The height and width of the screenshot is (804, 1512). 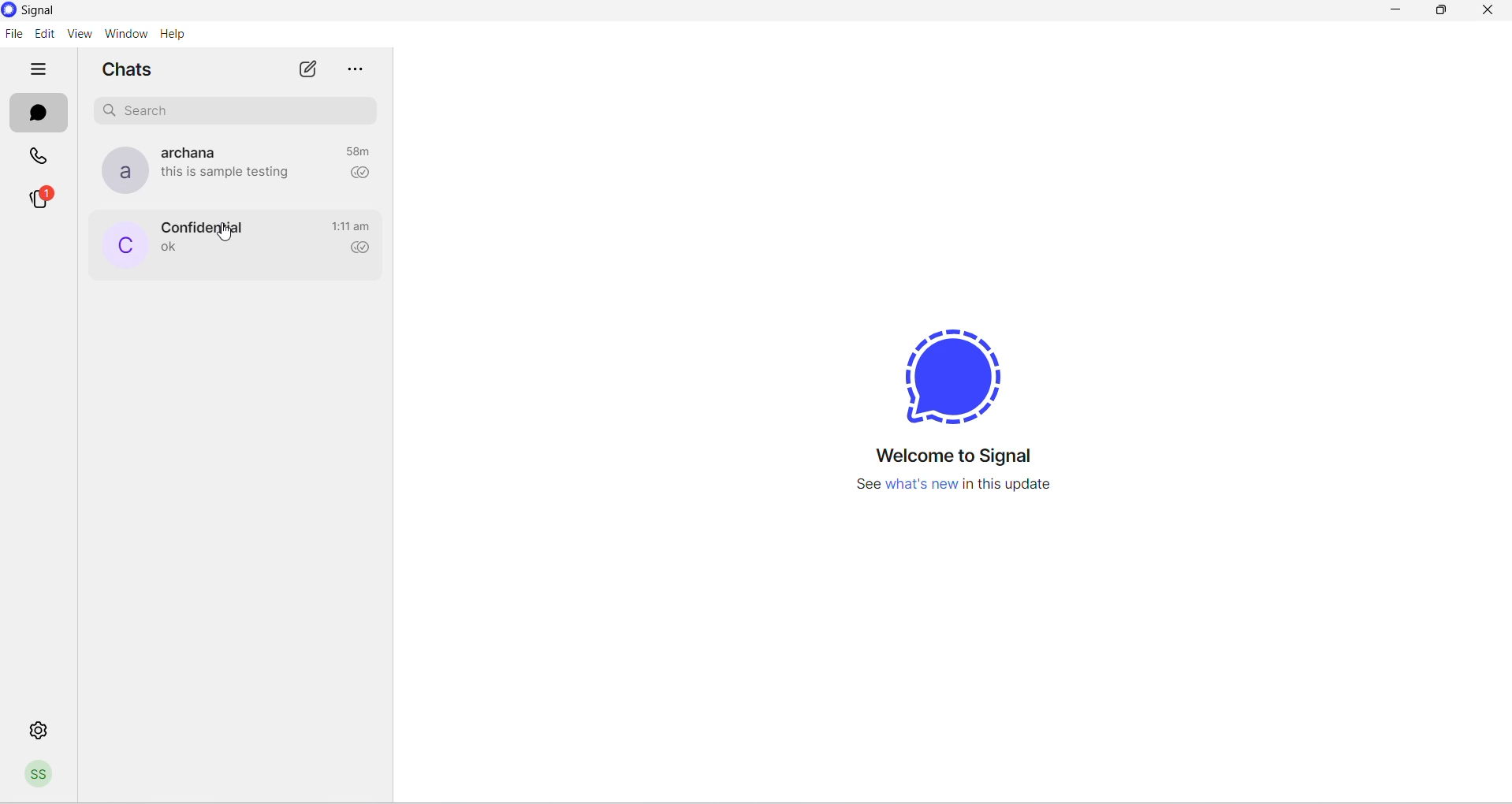 I want to click on profile picture, so click(x=122, y=244).